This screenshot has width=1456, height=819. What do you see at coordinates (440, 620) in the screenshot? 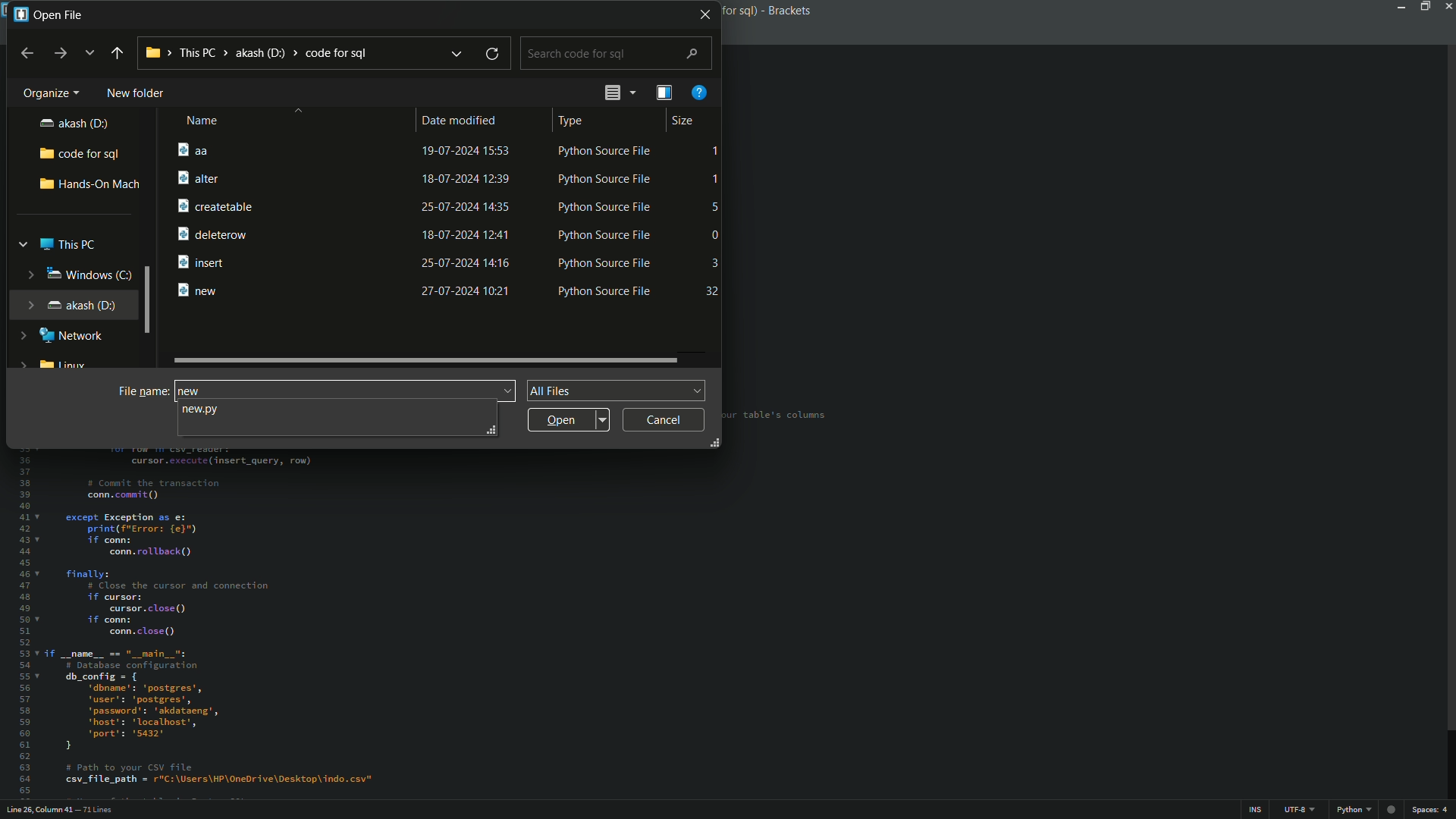
I see `file content` at bounding box center [440, 620].